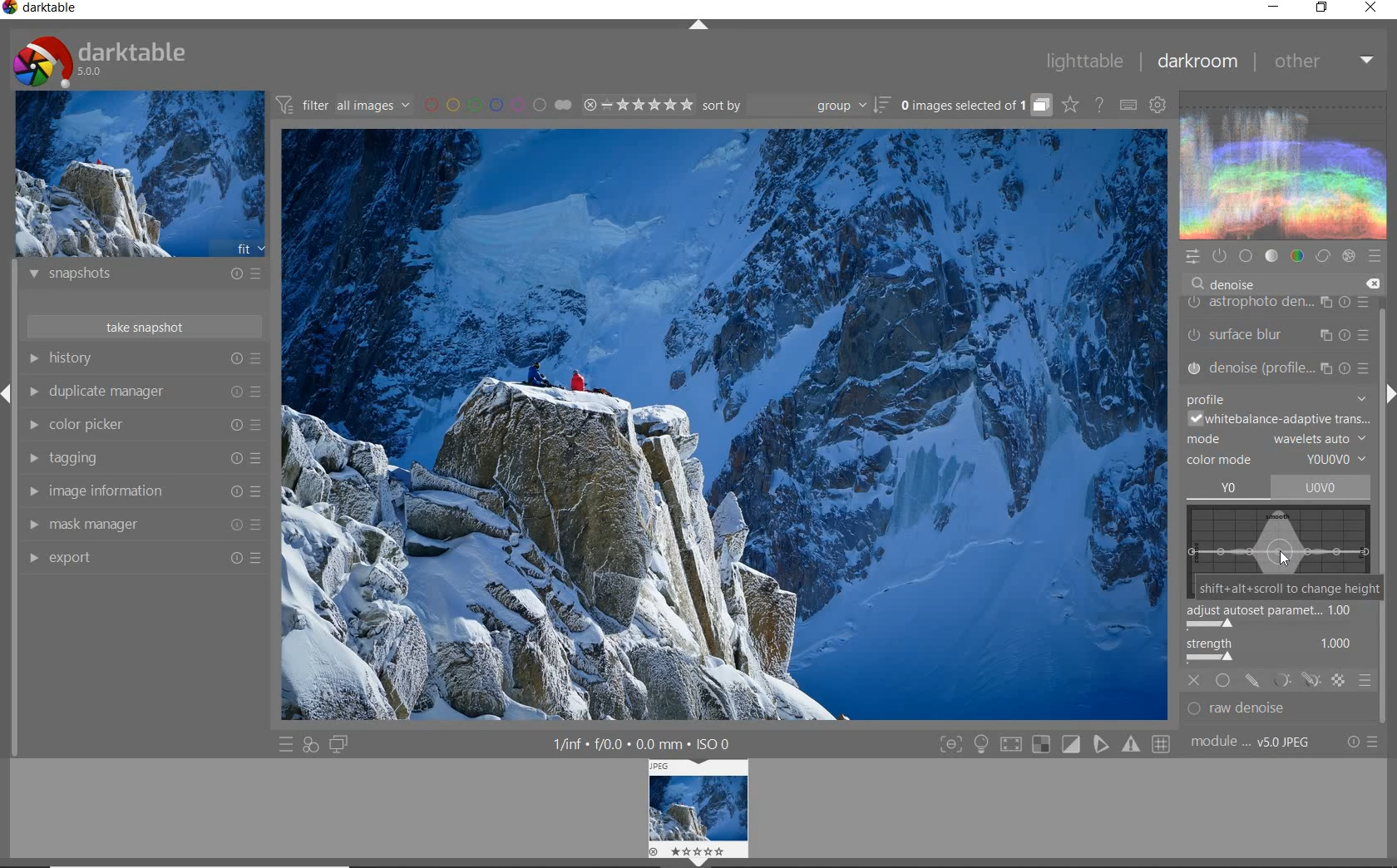 The image size is (1397, 868). Describe the element at coordinates (1281, 336) in the screenshot. I see `surface blur` at that location.